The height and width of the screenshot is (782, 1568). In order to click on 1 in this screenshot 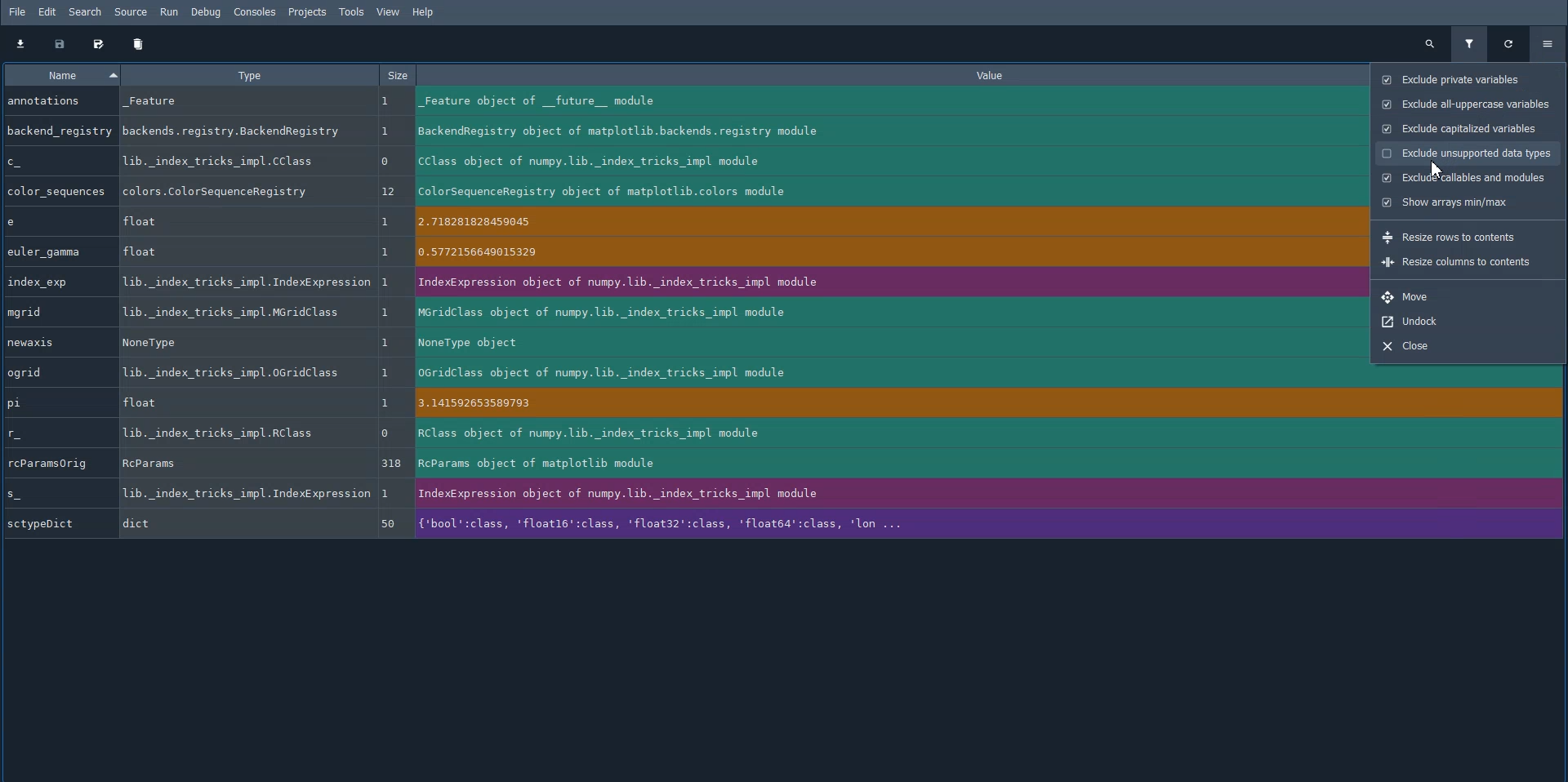, I will do `click(389, 492)`.